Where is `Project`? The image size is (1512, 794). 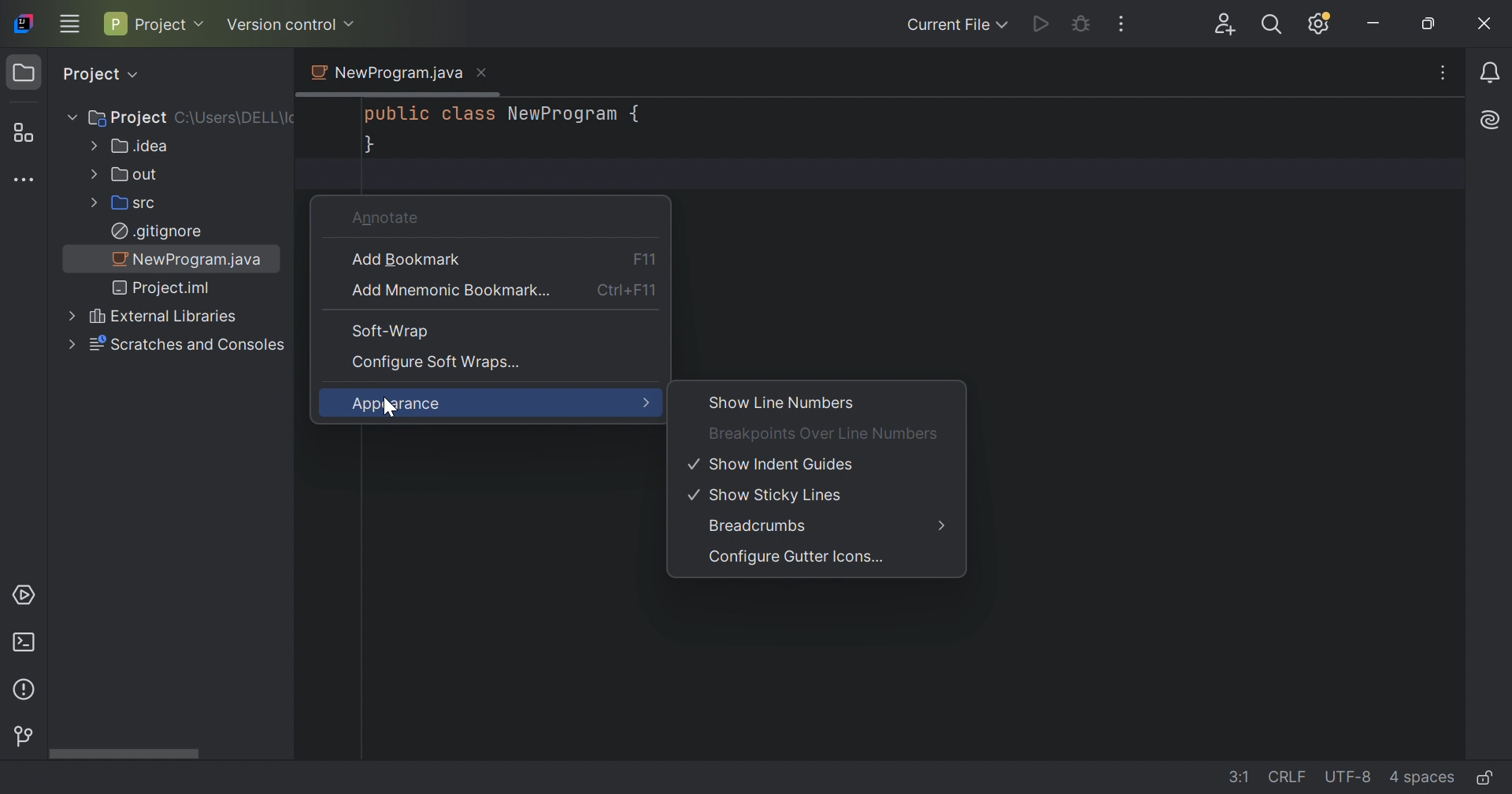 Project is located at coordinates (27, 74).